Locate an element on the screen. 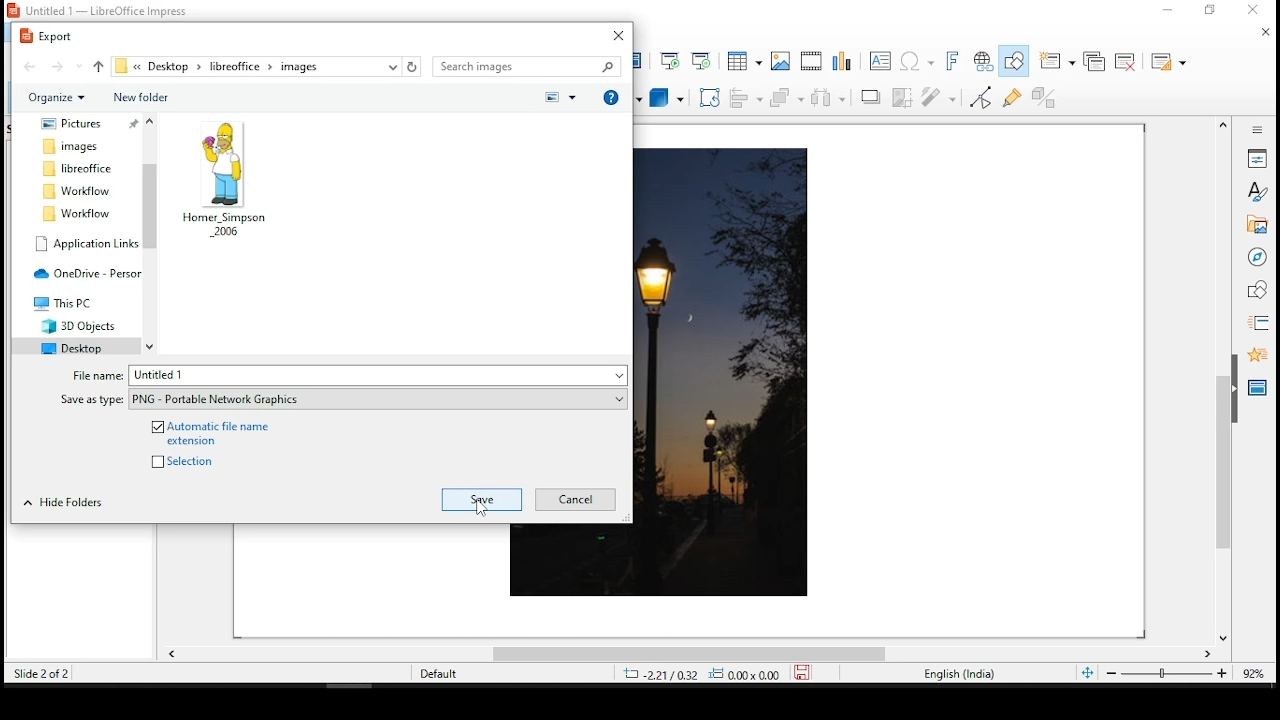 This screenshot has width=1280, height=720. save is located at coordinates (483, 500).